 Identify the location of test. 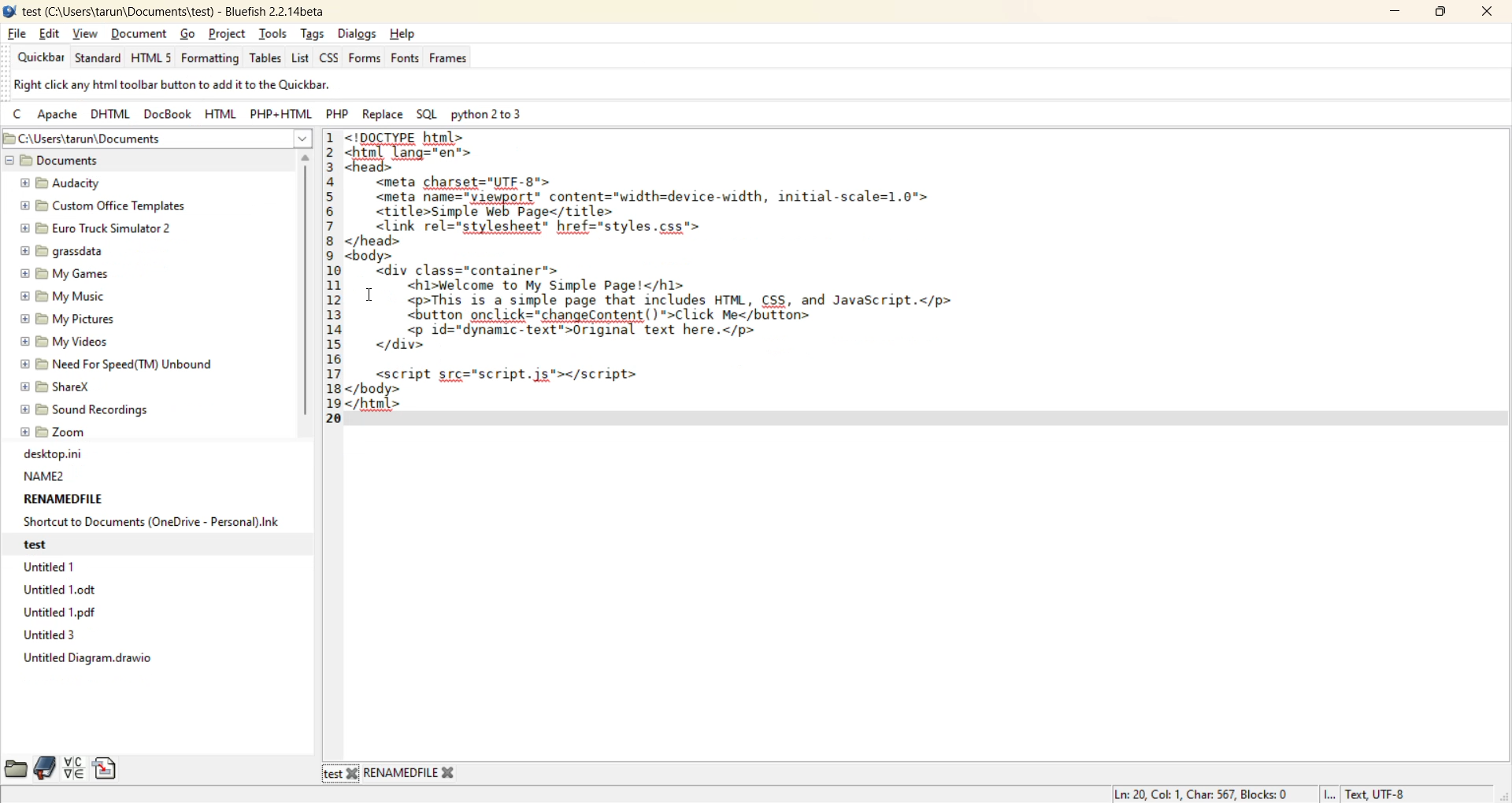
(46, 544).